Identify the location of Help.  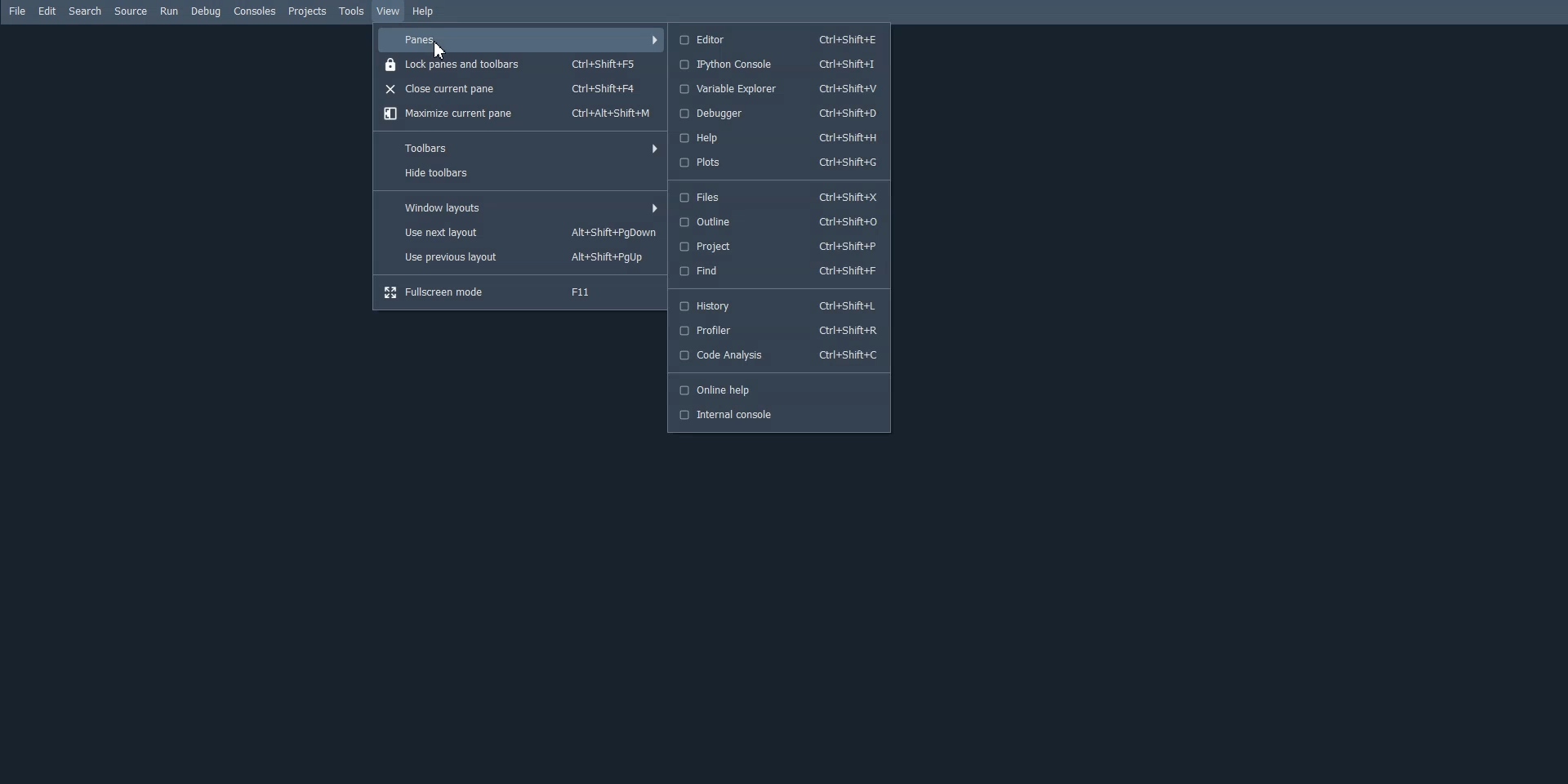
(422, 12).